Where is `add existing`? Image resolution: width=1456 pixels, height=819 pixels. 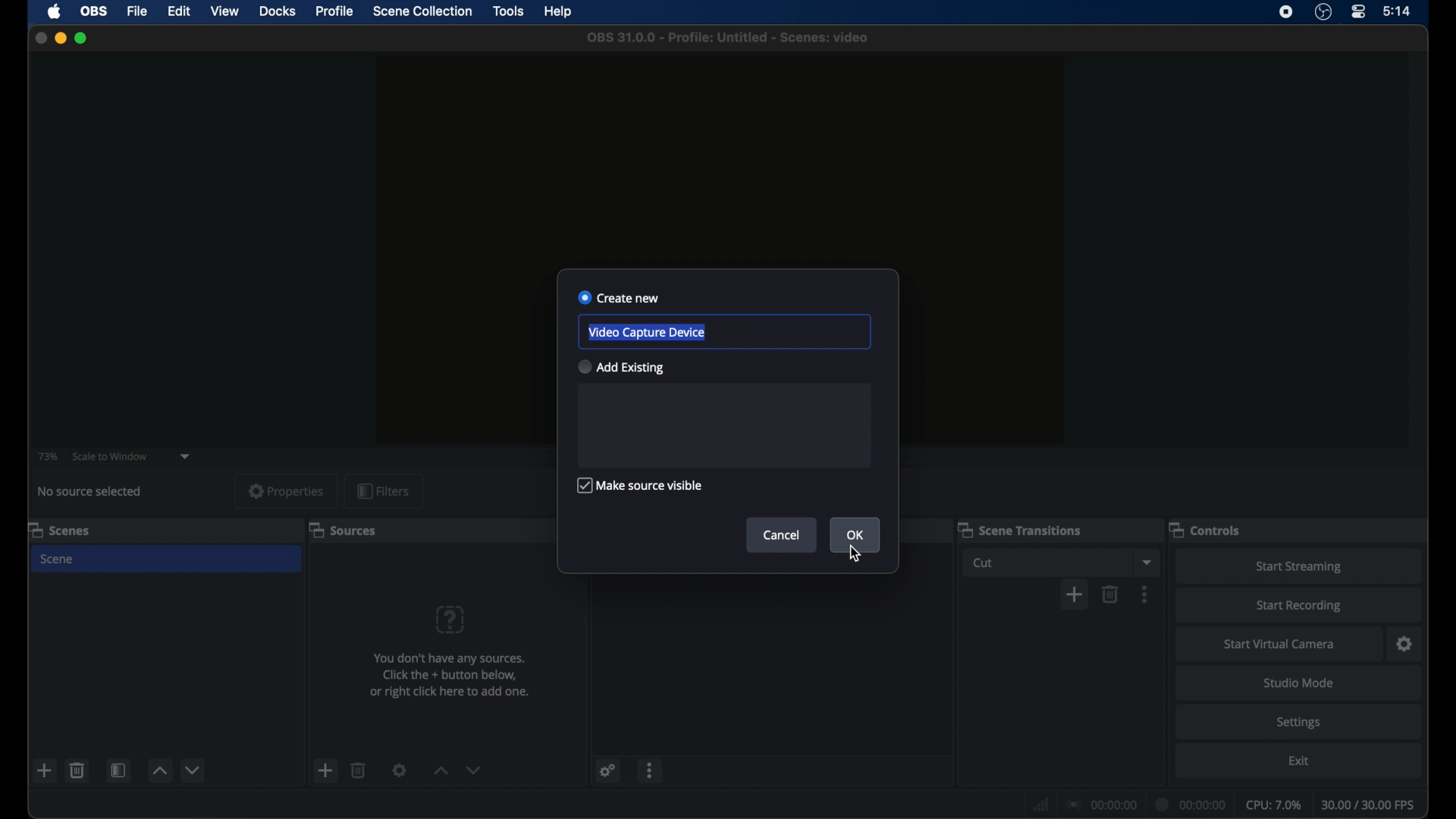 add existing is located at coordinates (620, 366).